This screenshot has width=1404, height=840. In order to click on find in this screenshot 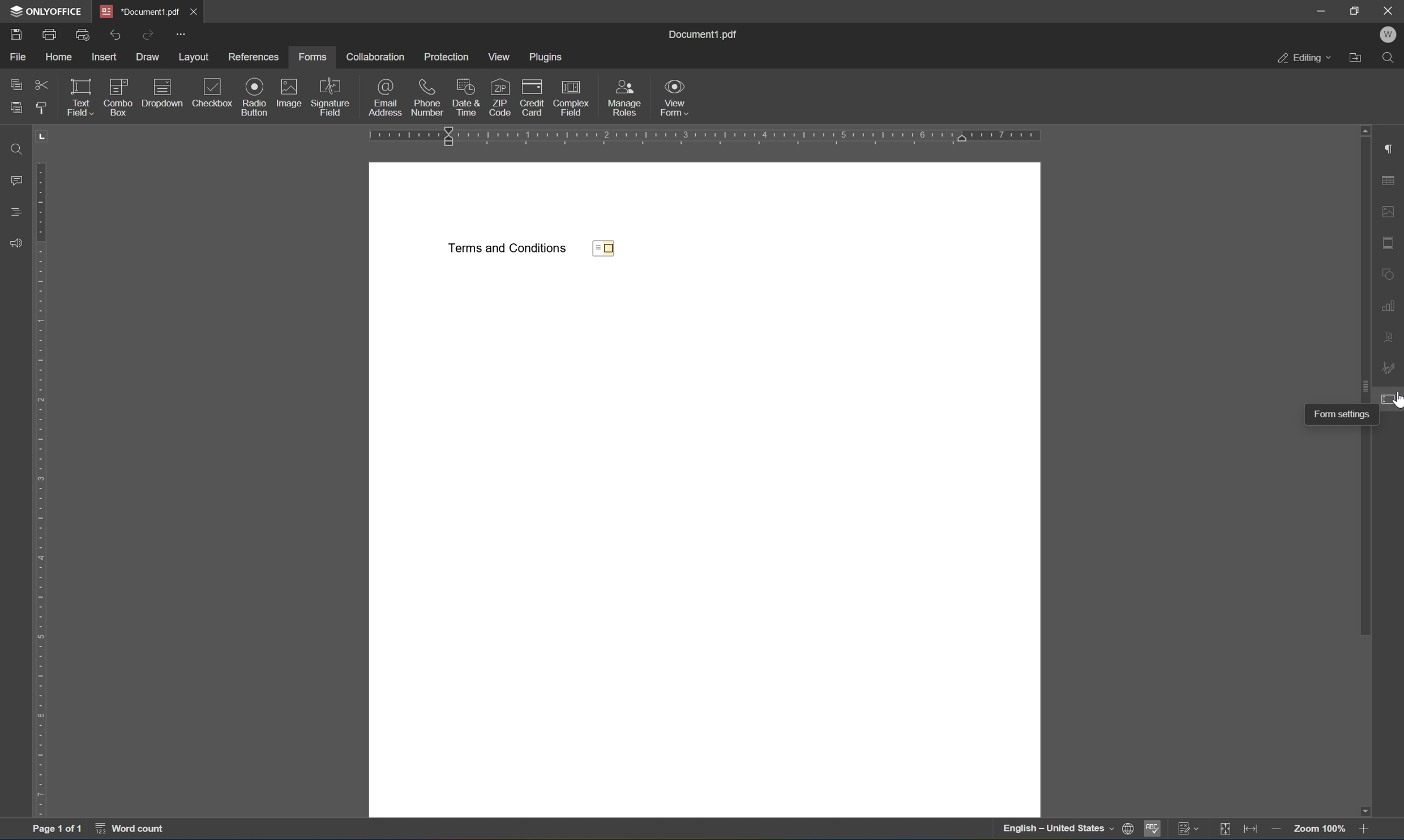, I will do `click(1389, 57)`.